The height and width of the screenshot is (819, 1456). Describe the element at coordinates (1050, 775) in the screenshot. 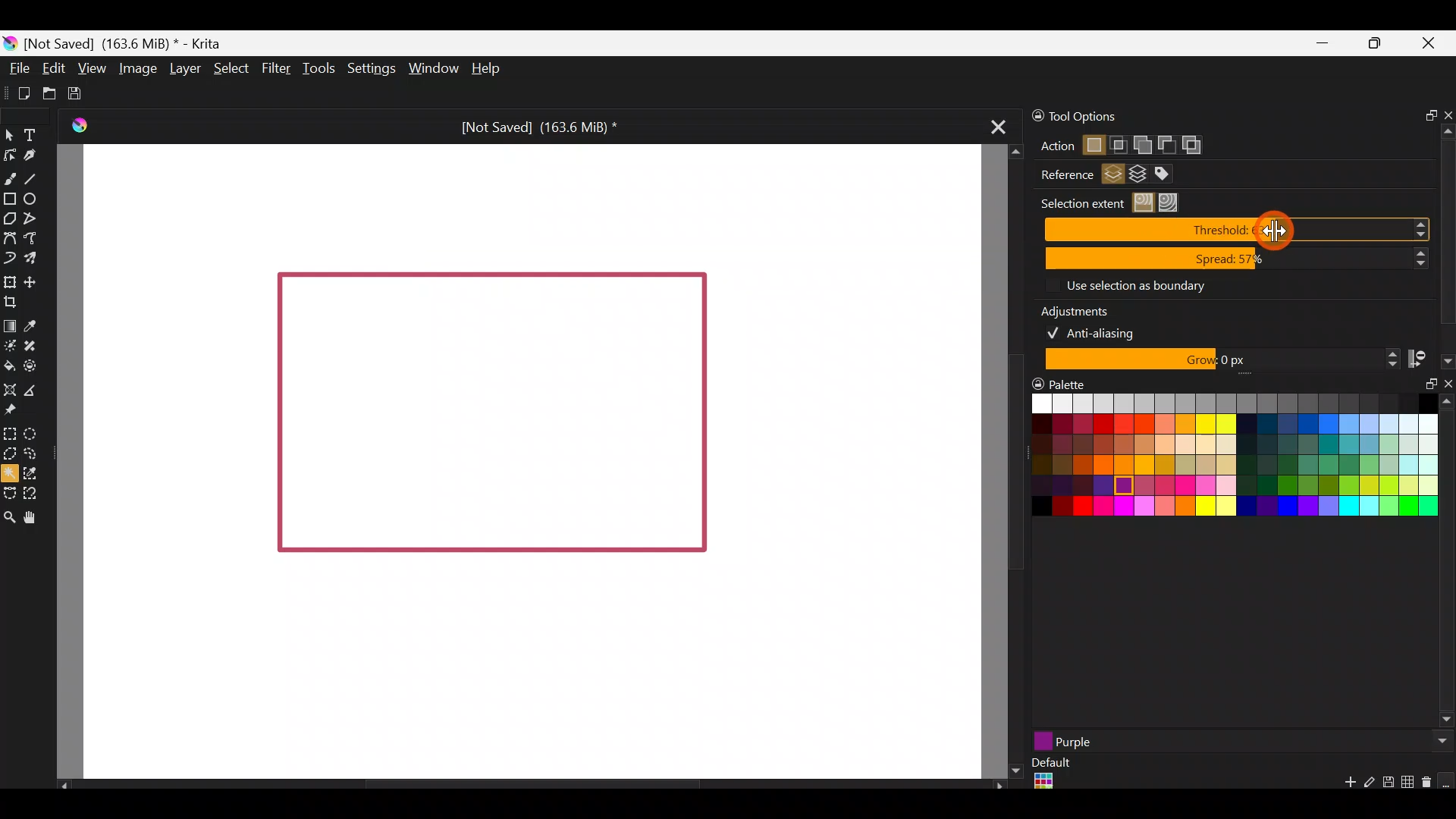

I see `Default` at that location.